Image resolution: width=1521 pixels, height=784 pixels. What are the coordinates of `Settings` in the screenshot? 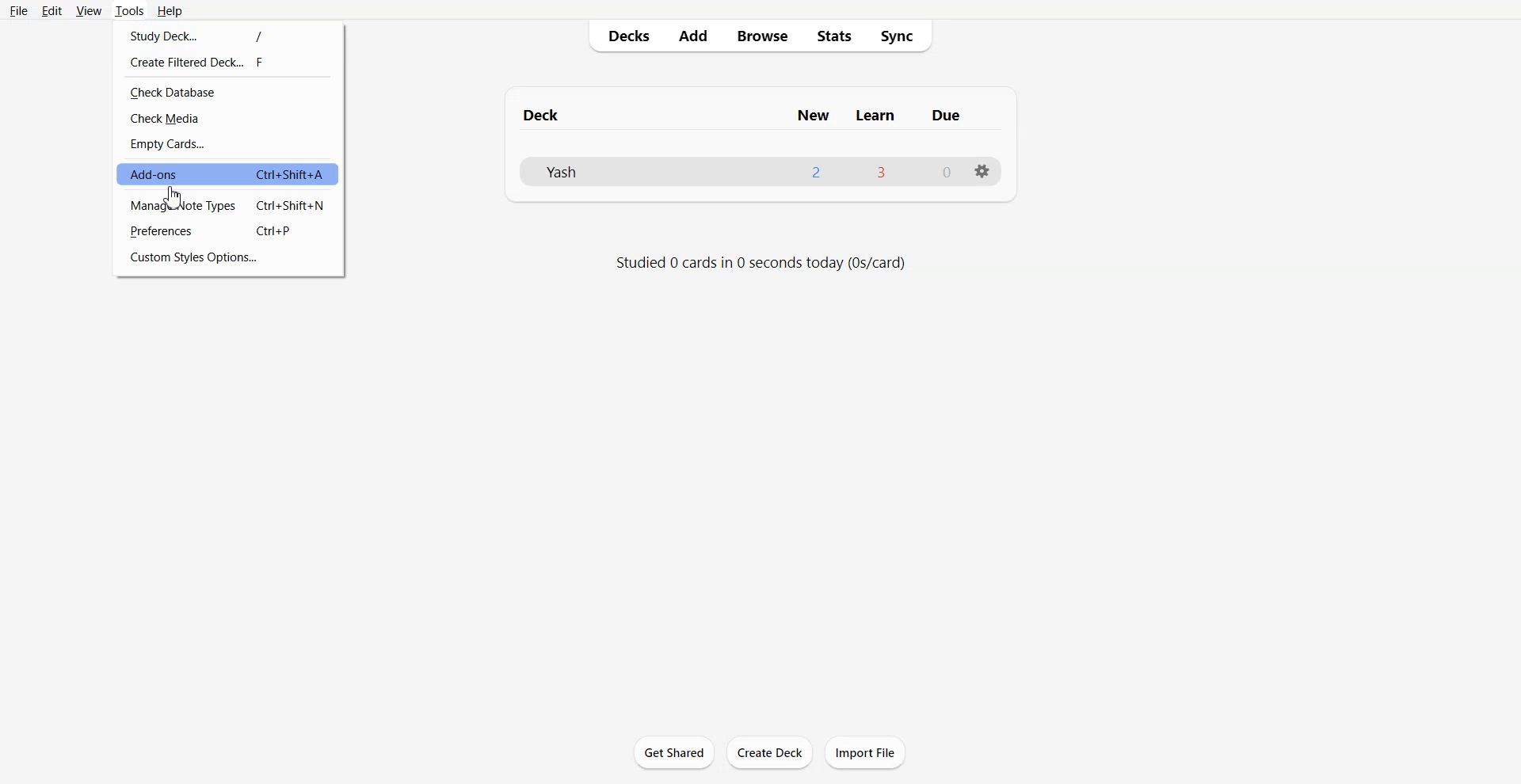 It's located at (982, 170).